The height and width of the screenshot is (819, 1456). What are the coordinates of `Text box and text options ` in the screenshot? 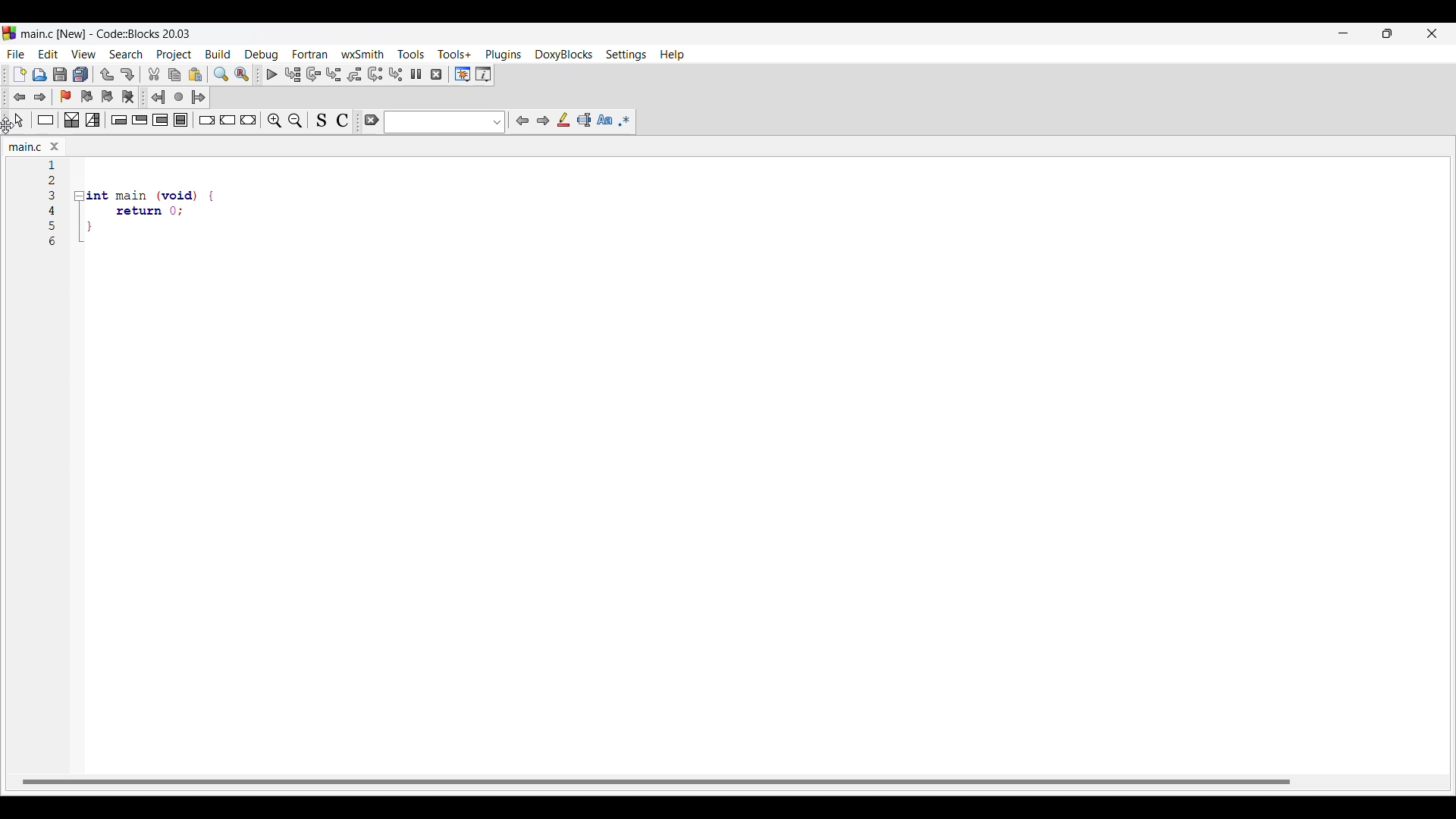 It's located at (445, 122).